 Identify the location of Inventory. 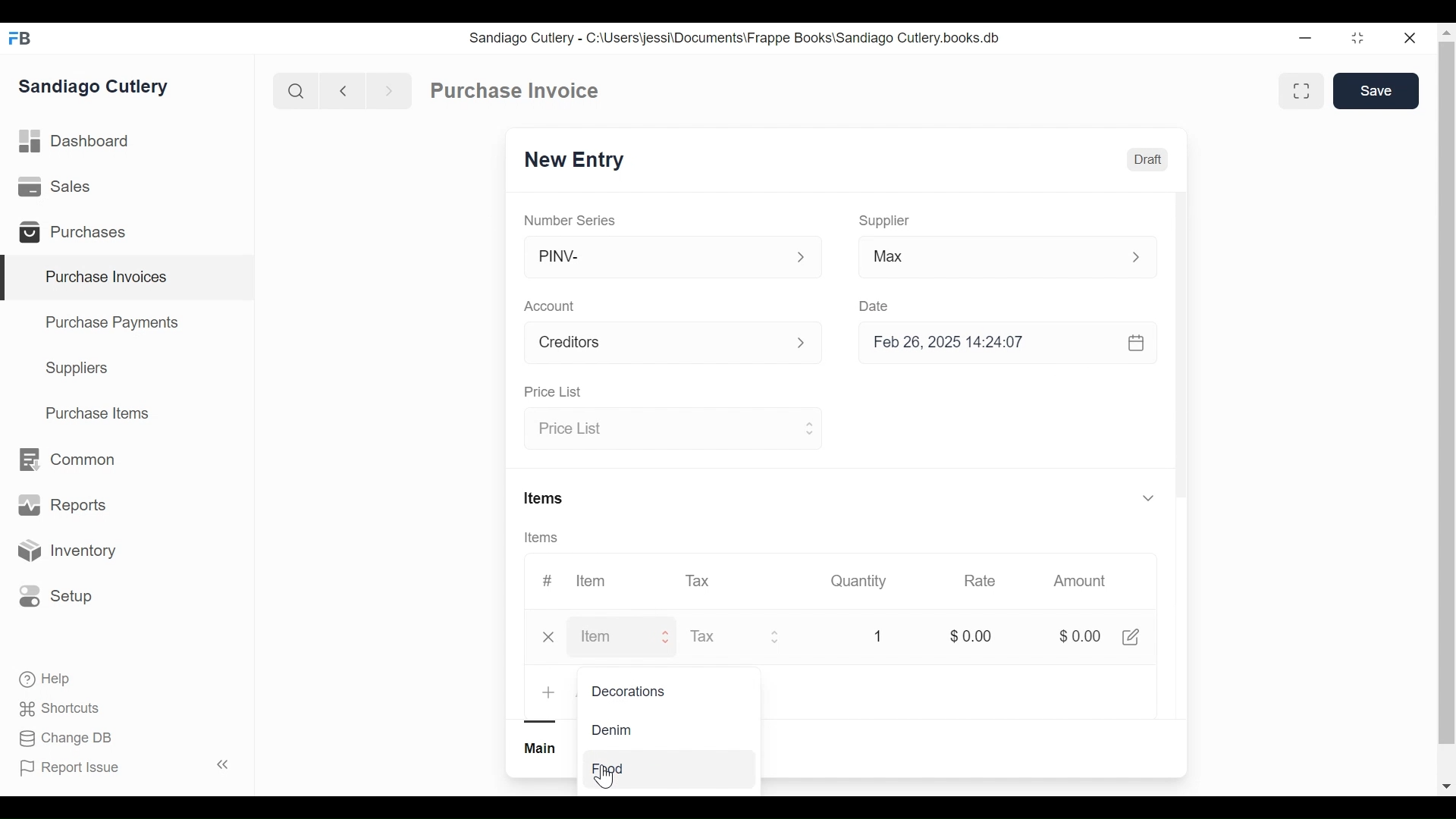
(65, 551).